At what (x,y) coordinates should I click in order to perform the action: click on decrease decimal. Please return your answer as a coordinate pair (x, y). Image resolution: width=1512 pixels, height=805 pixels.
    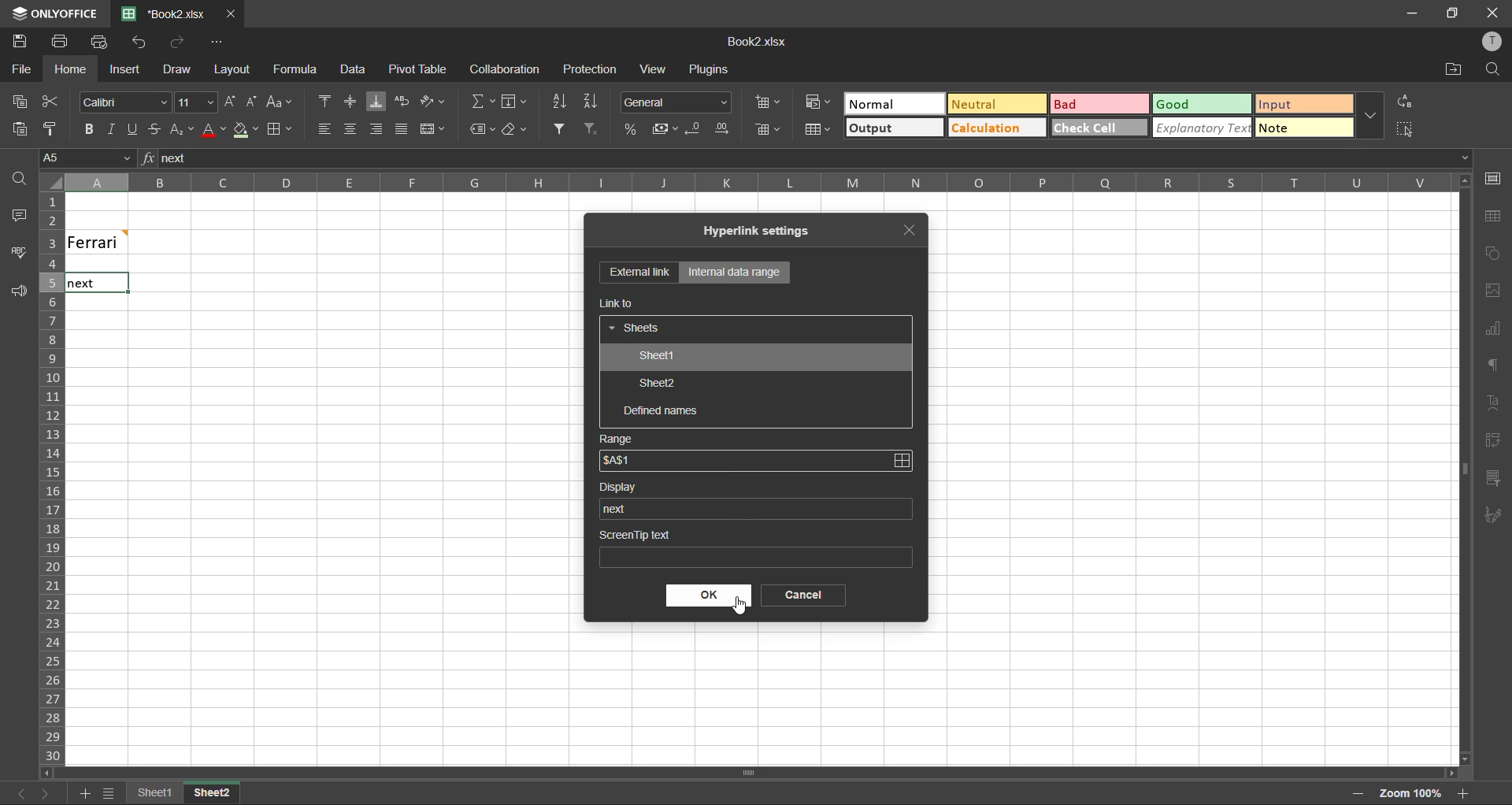
    Looking at the image, I should click on (694, 129).